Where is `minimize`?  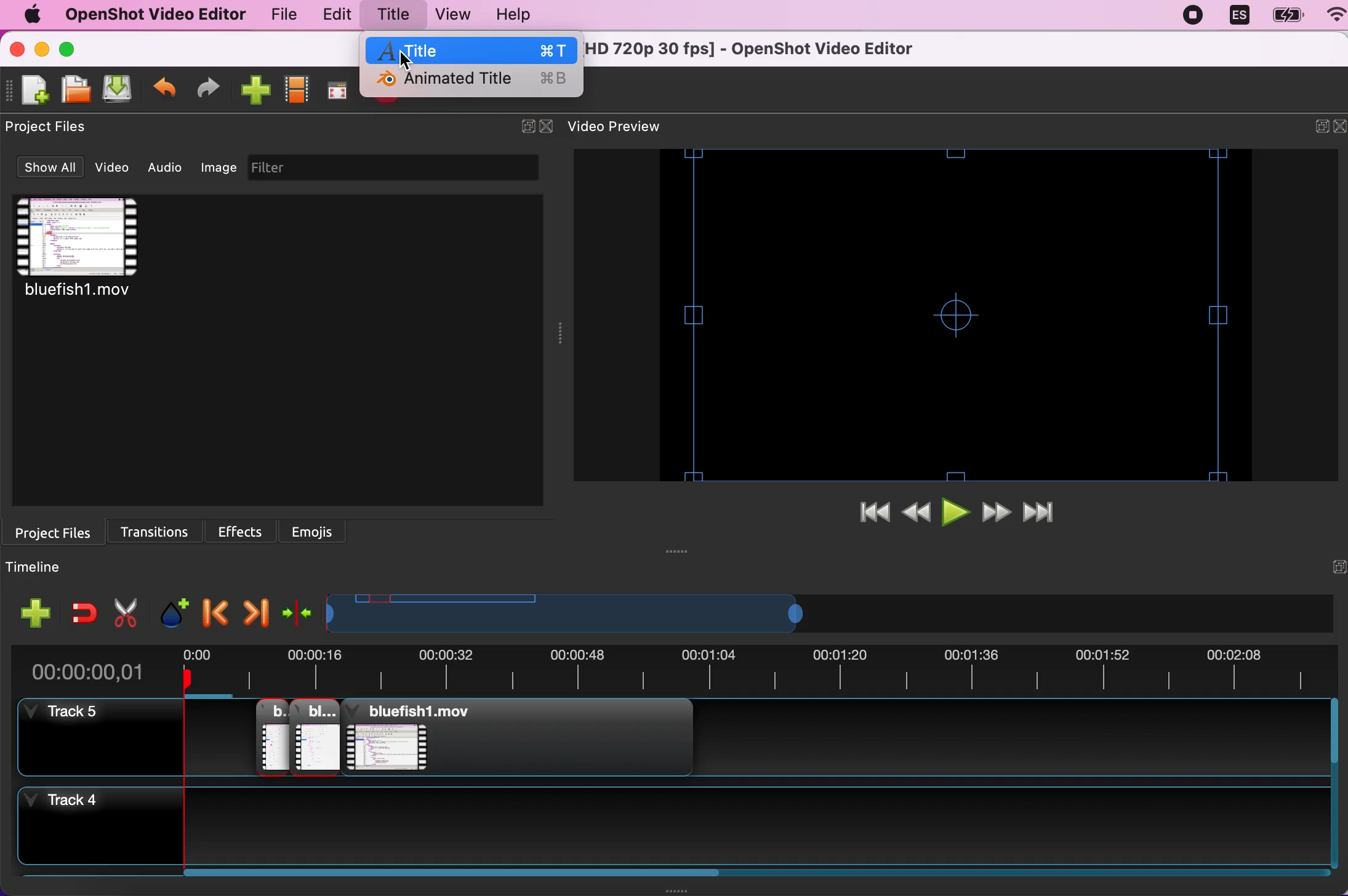 minimize is located at coordinates (41, 50).